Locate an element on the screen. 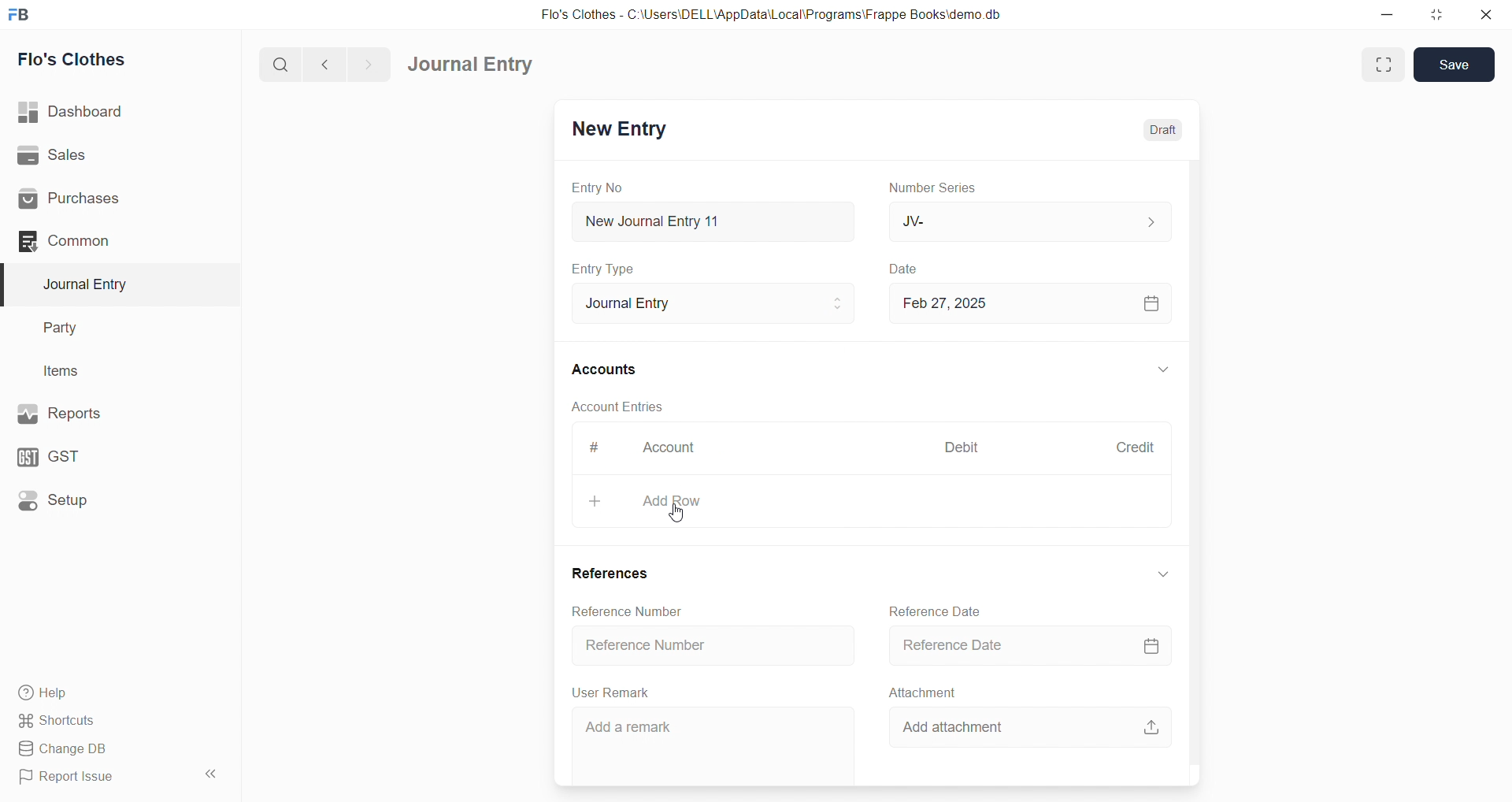  EXPAND/COLLAPSE is located at coordinates (1162, 577).